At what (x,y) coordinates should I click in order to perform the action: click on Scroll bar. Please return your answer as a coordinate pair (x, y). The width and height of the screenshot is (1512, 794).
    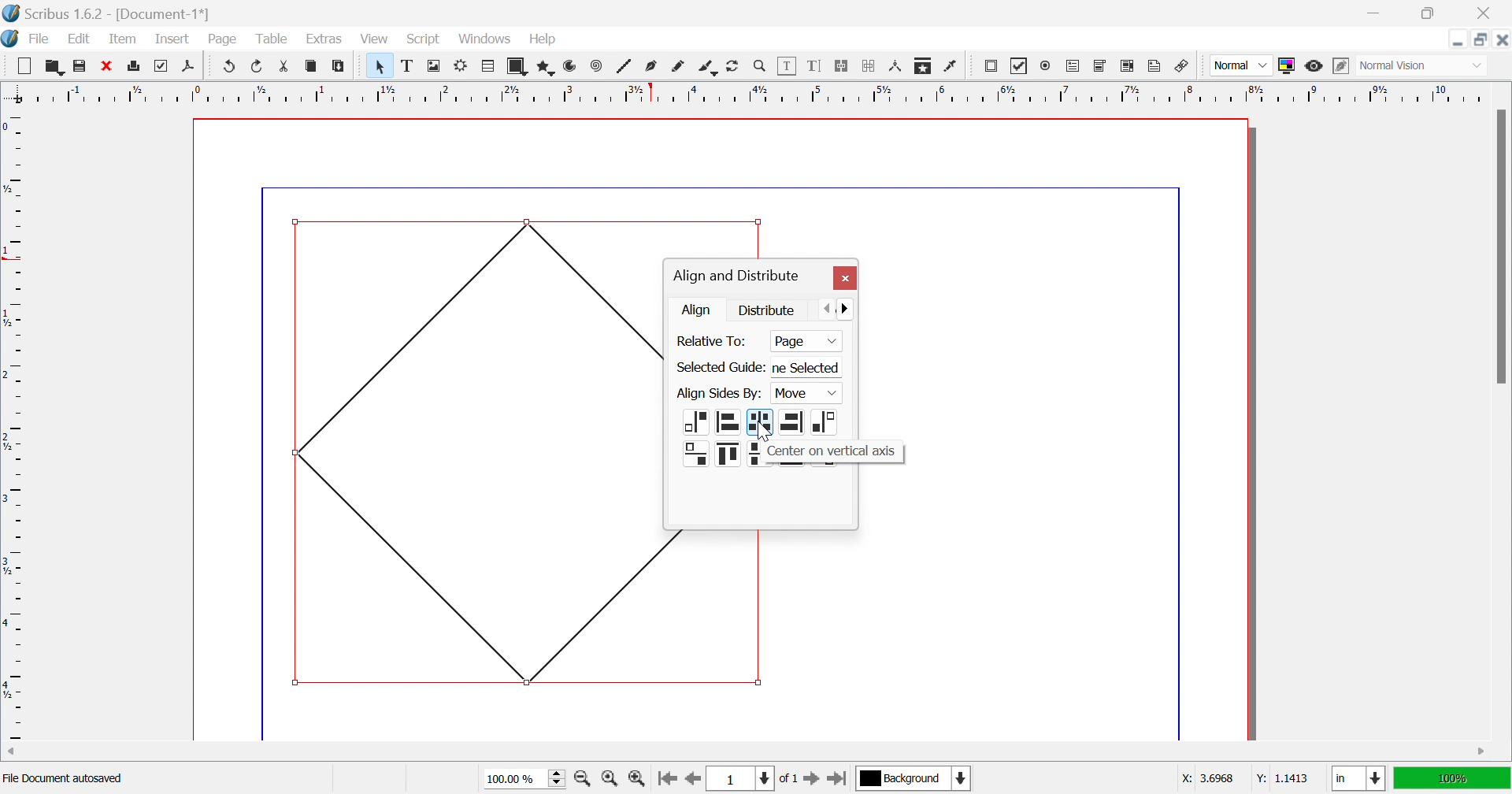
    Looking at the image, I should click on (1500, 246).